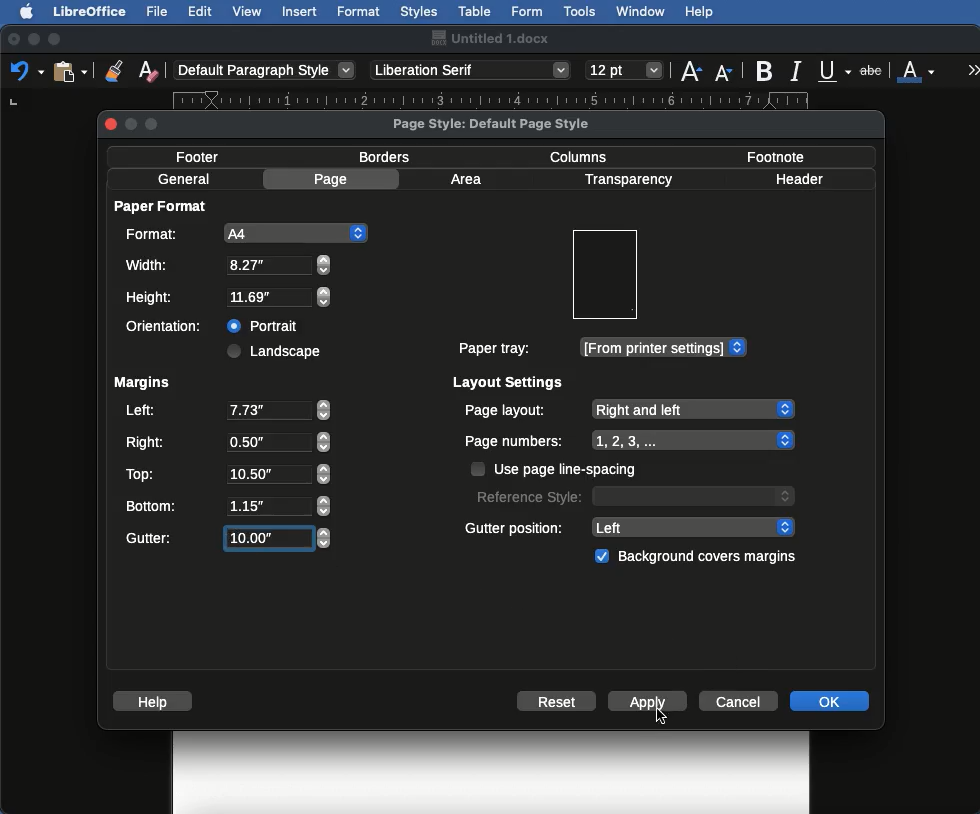  What do you see at coordinates (243, 233) in the screenshot?
I see `A4` at bounding box center [243, 233].